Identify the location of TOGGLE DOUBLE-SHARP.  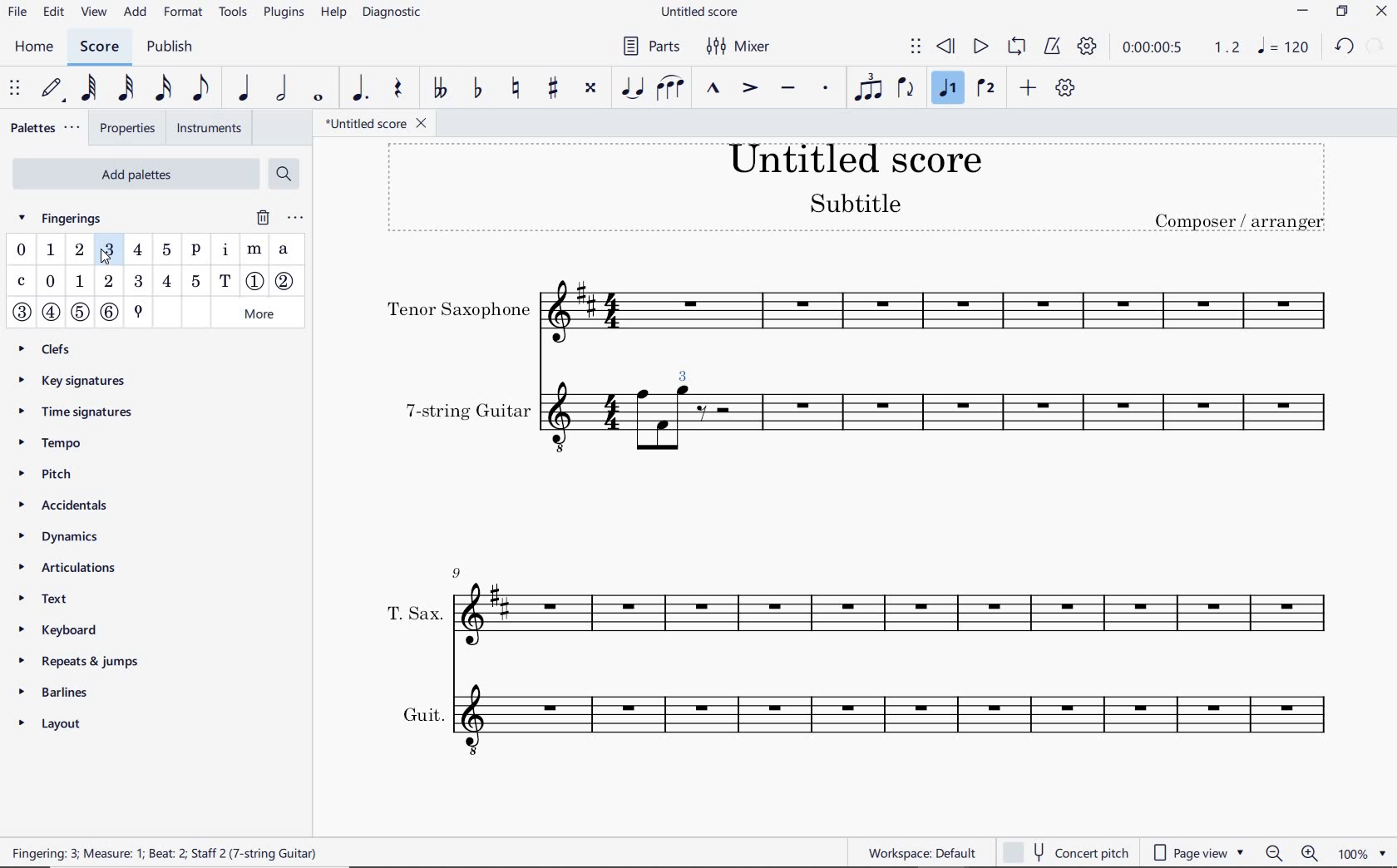
(592, 87).